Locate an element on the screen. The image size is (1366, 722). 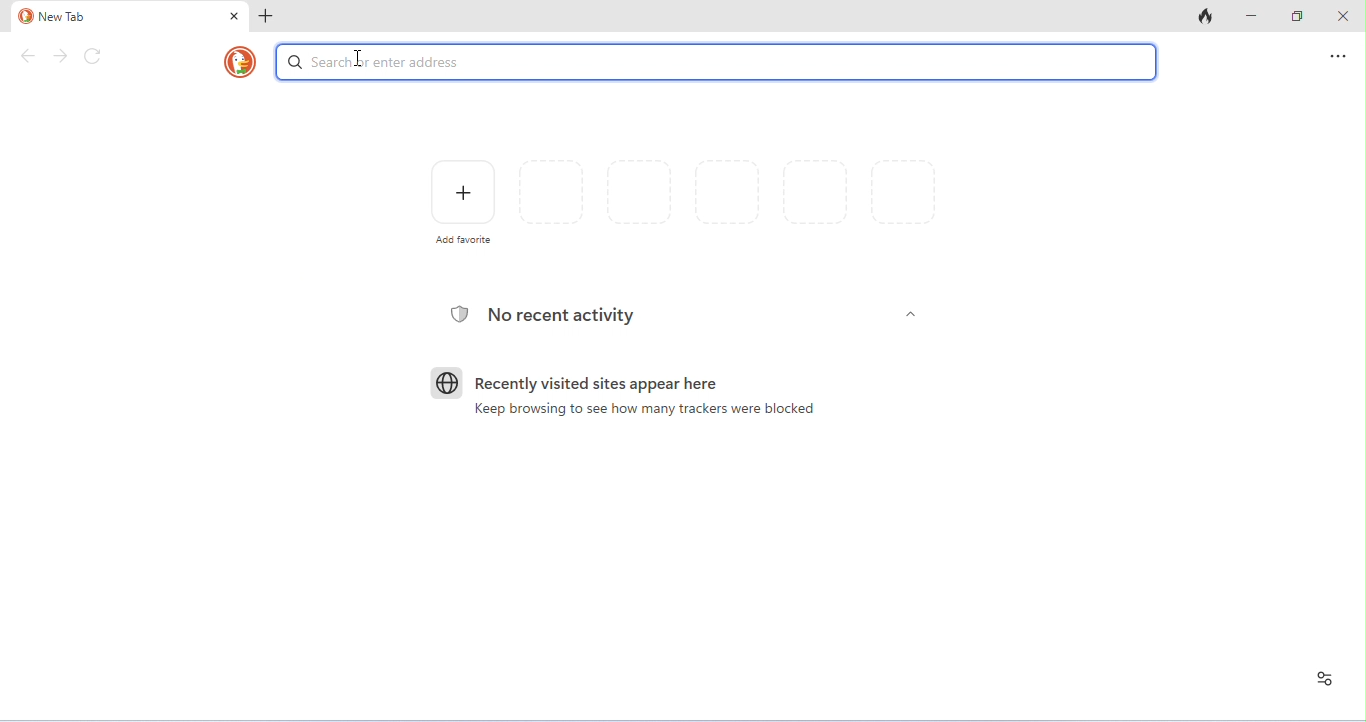
recently visited sites appear here is located at coordinates (571, 379).